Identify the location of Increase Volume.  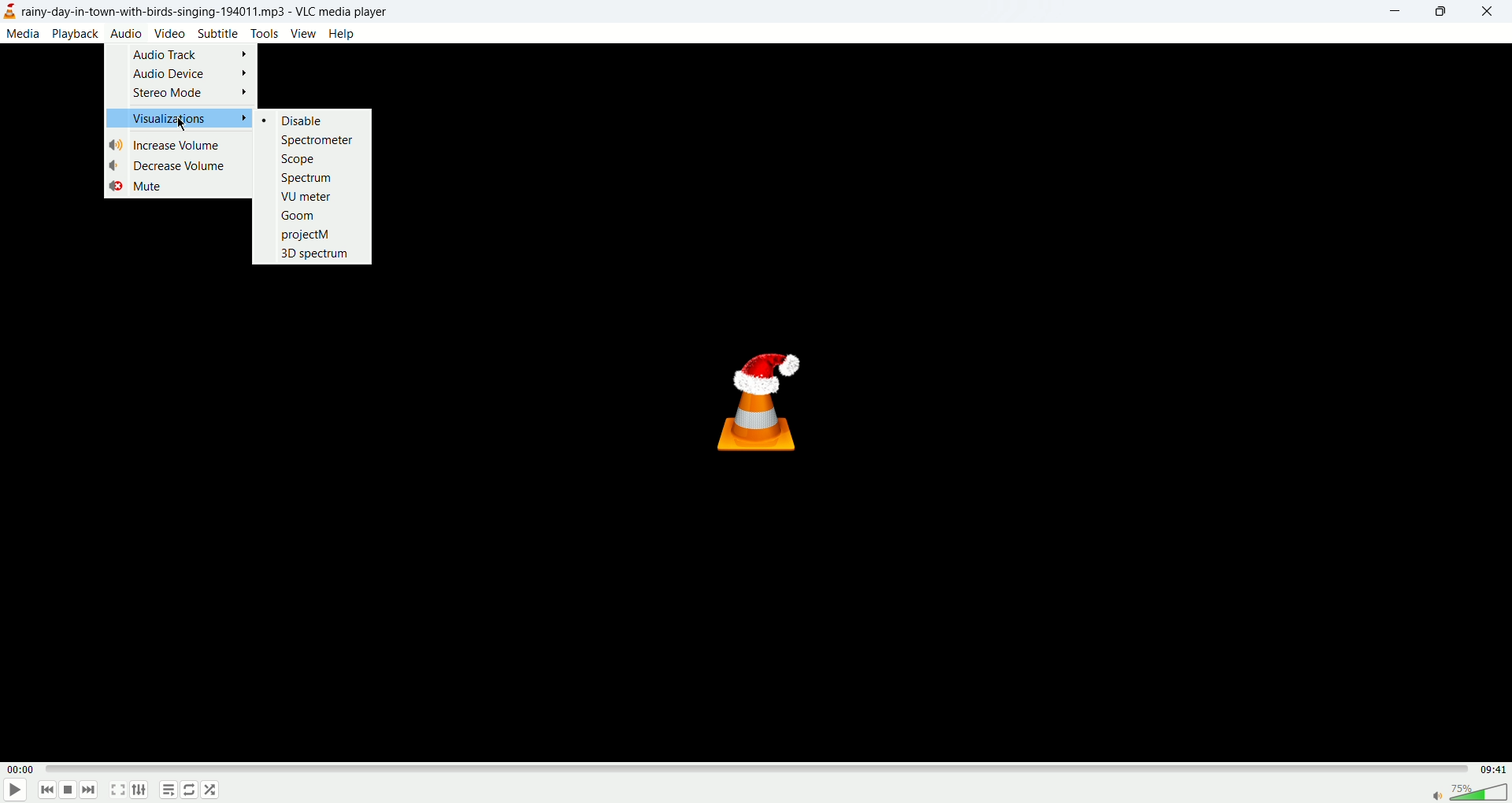
(172, 145).